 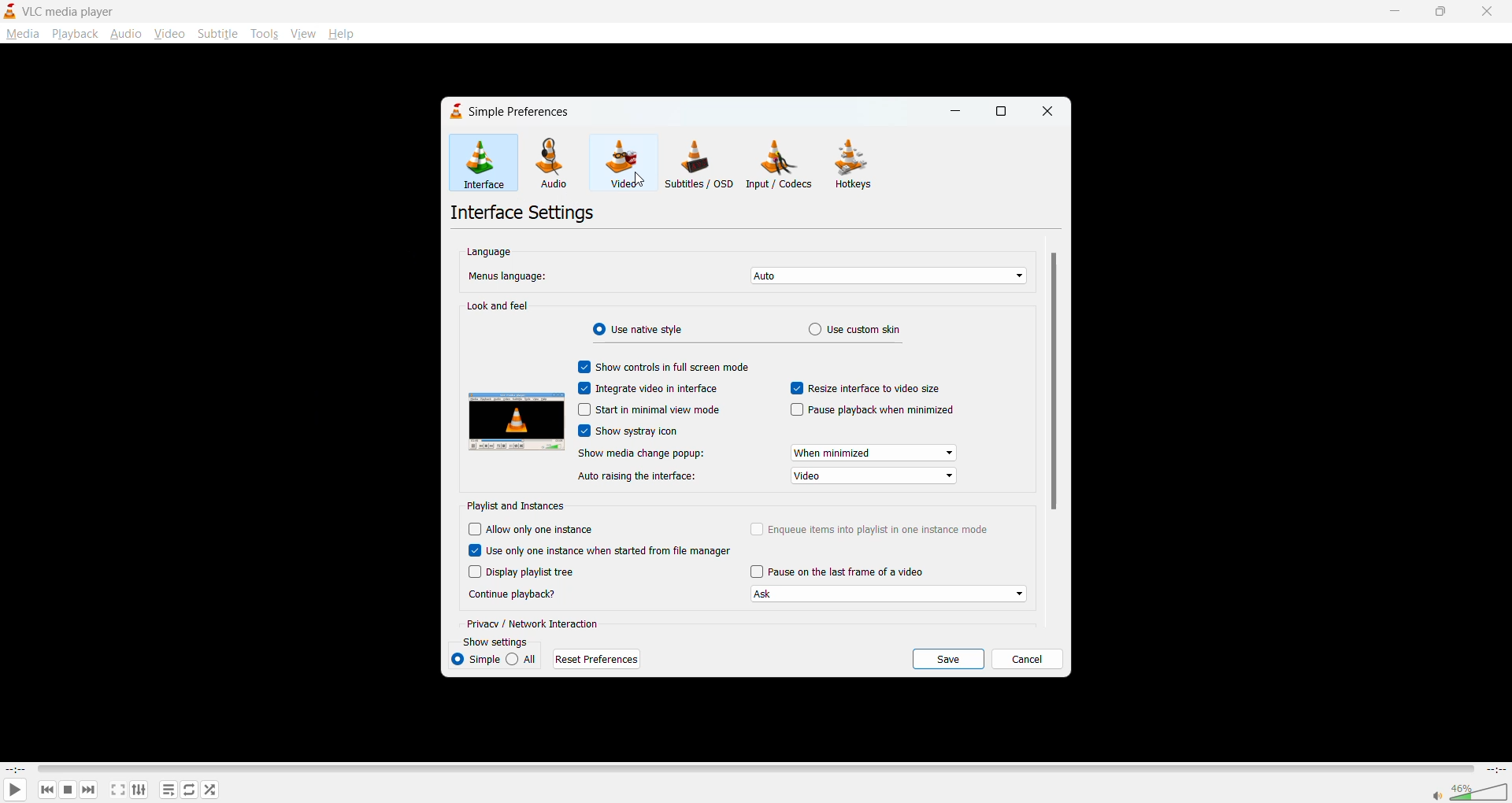 I want to click on language, so click(x=495, y=251).